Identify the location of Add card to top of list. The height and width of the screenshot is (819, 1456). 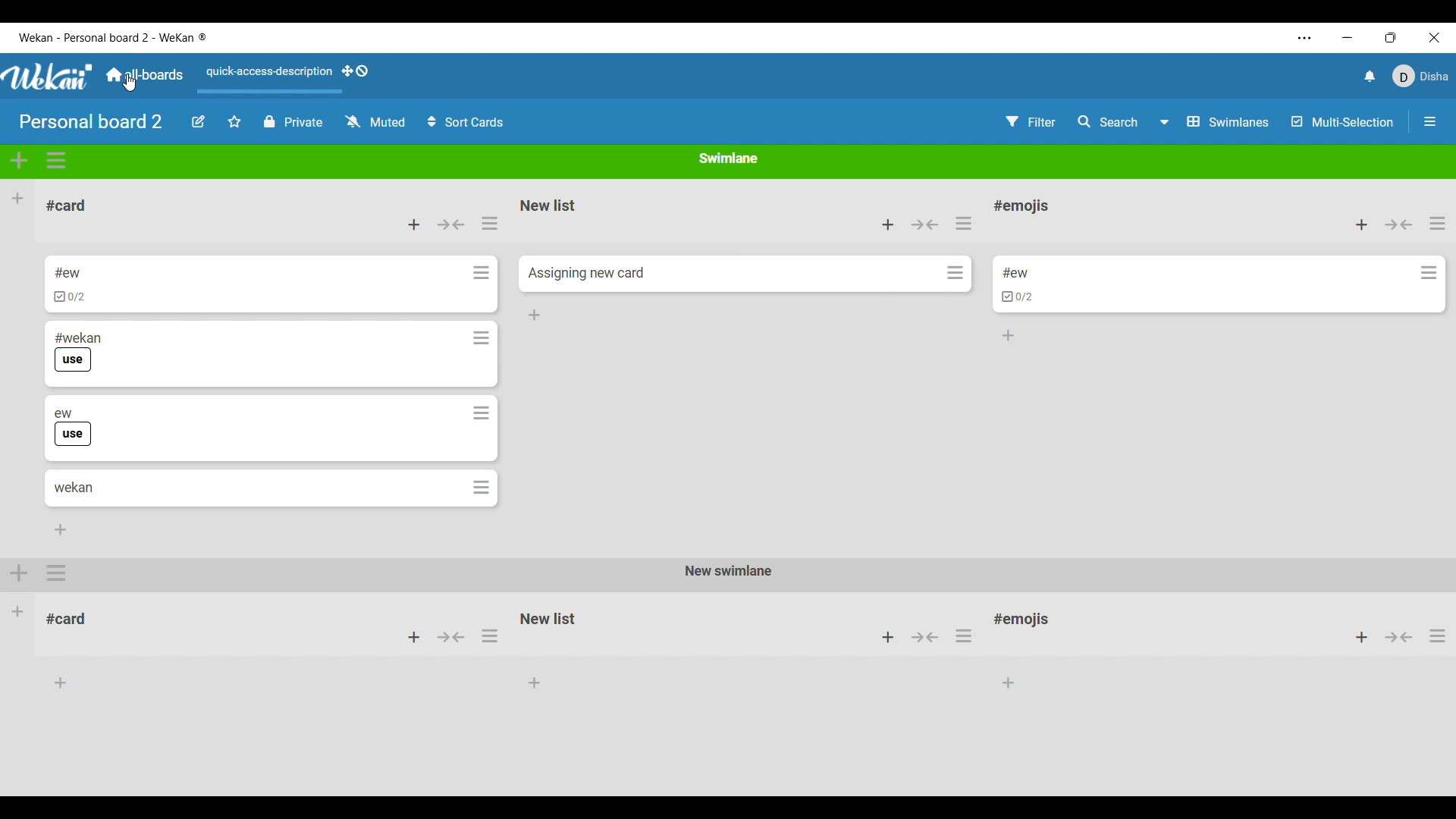
(414, 224).